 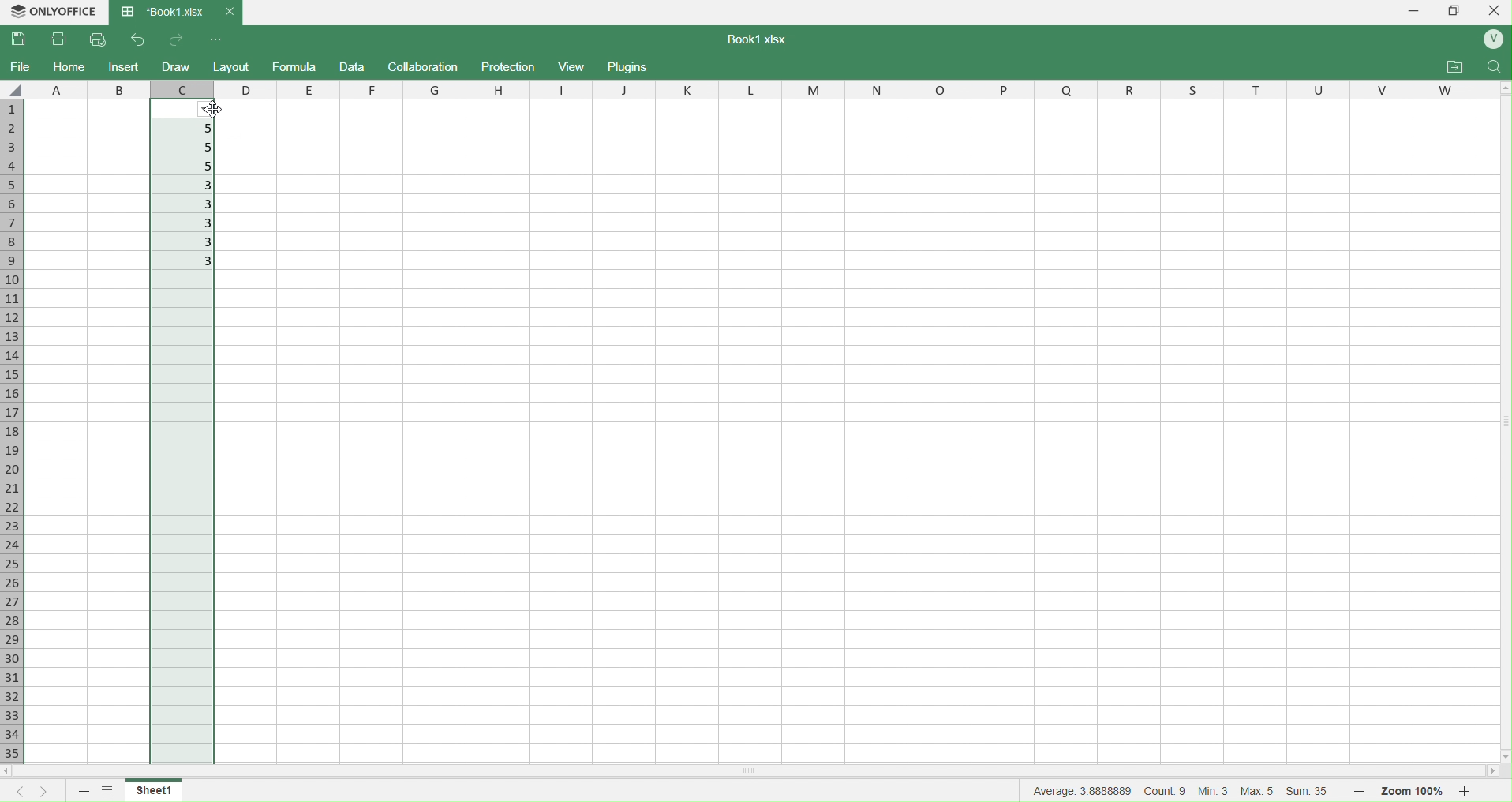 What do you see at coordinates (211, 110) in the screenshot?
I see `cursor` at bounding box center [211, 110].